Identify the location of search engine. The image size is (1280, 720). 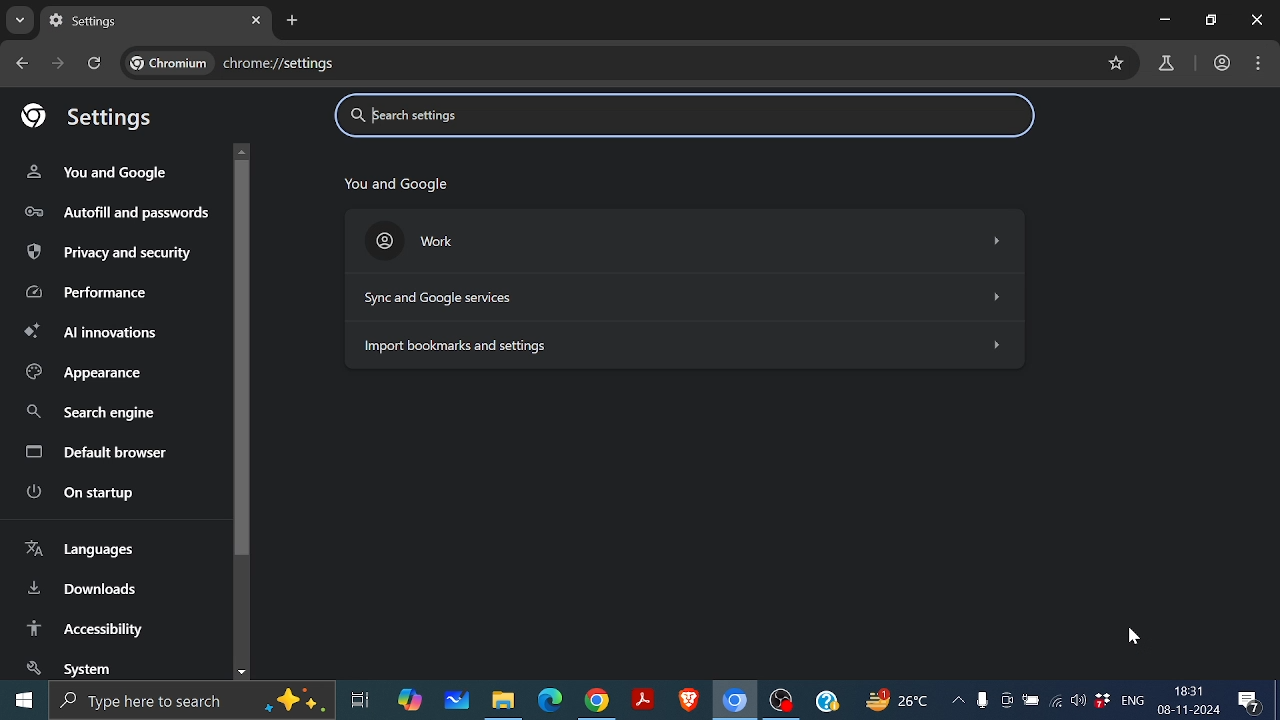
(98, 415).